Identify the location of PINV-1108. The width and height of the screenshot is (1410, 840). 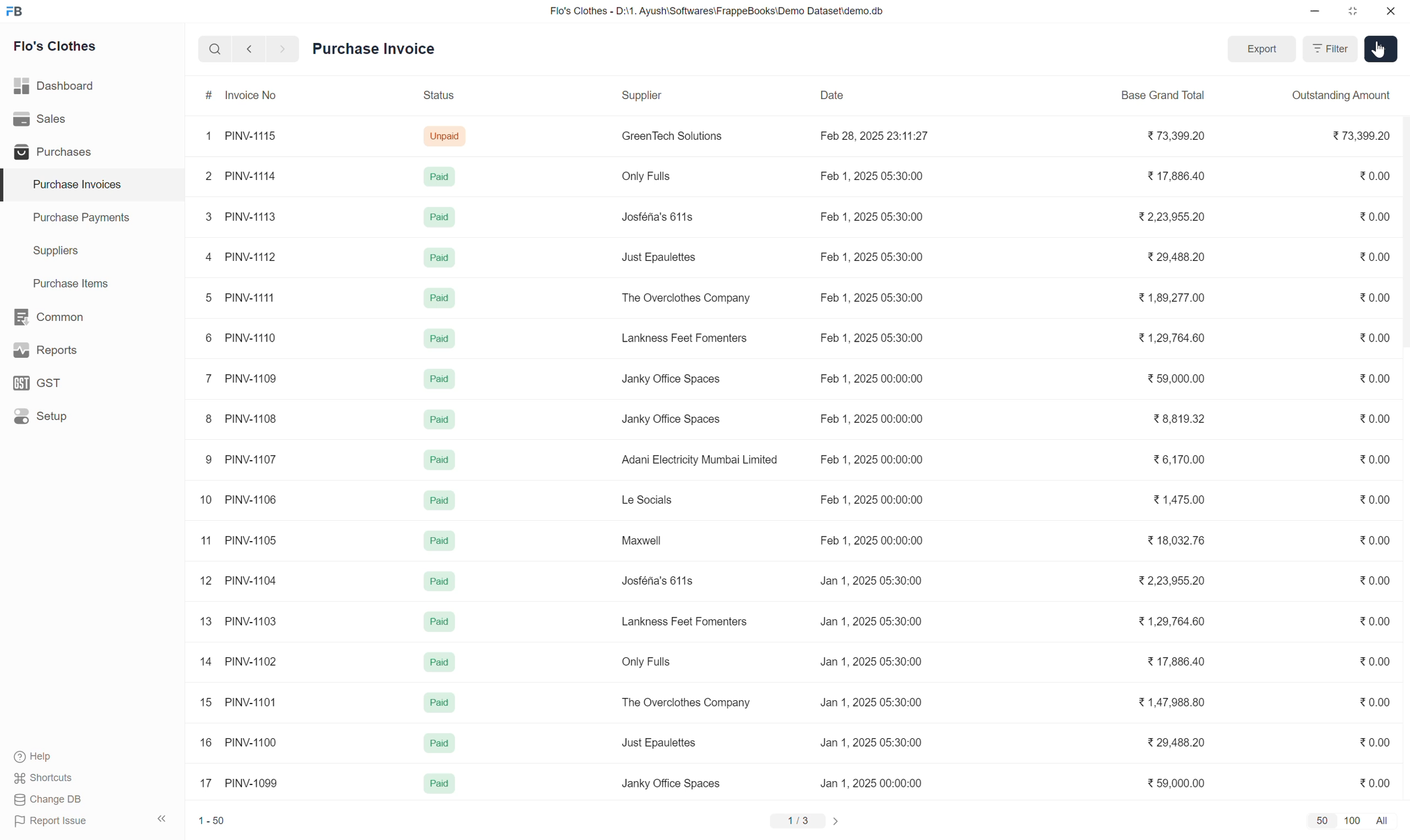
(250, 418).